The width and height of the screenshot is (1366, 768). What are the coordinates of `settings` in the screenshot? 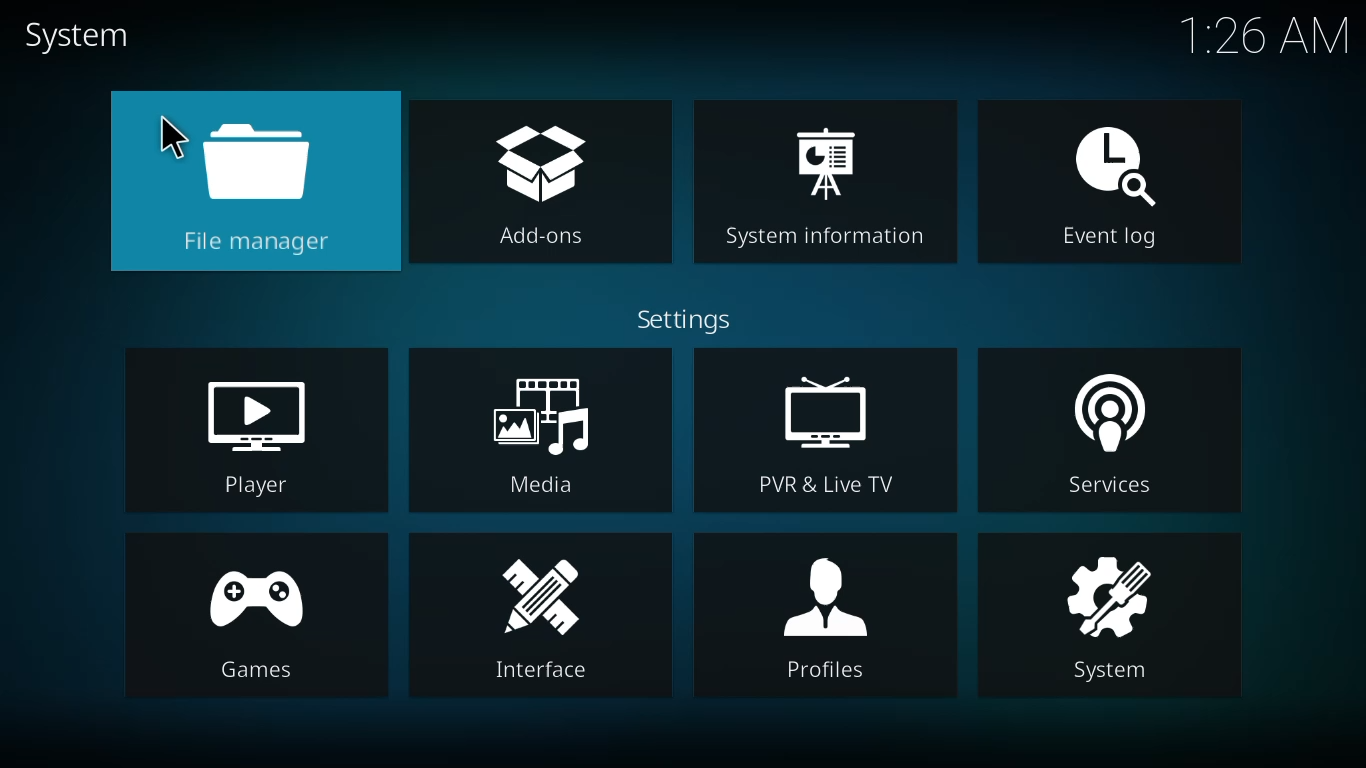 It's located at (683, 320).